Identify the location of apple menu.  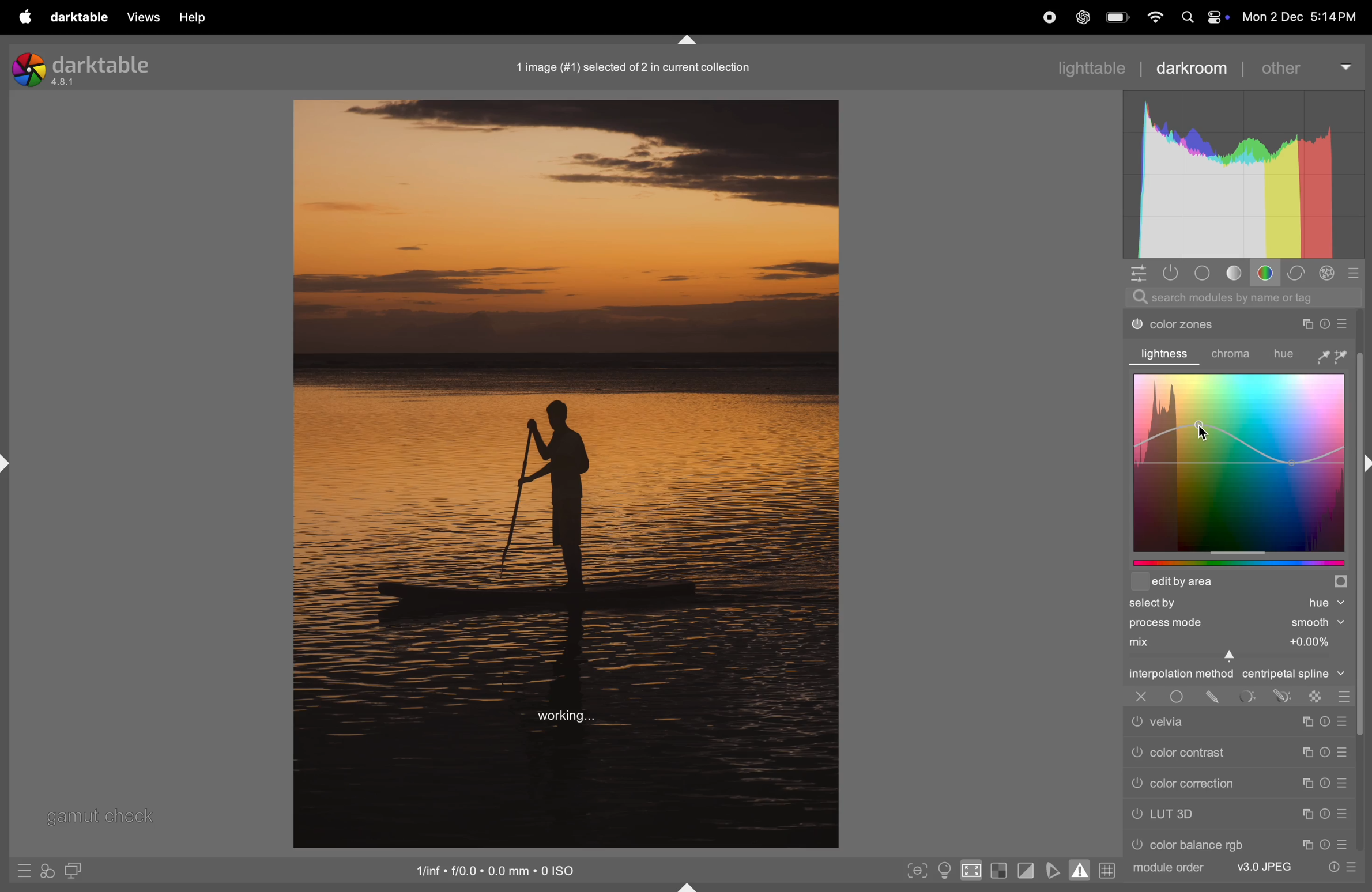
(25, 17).